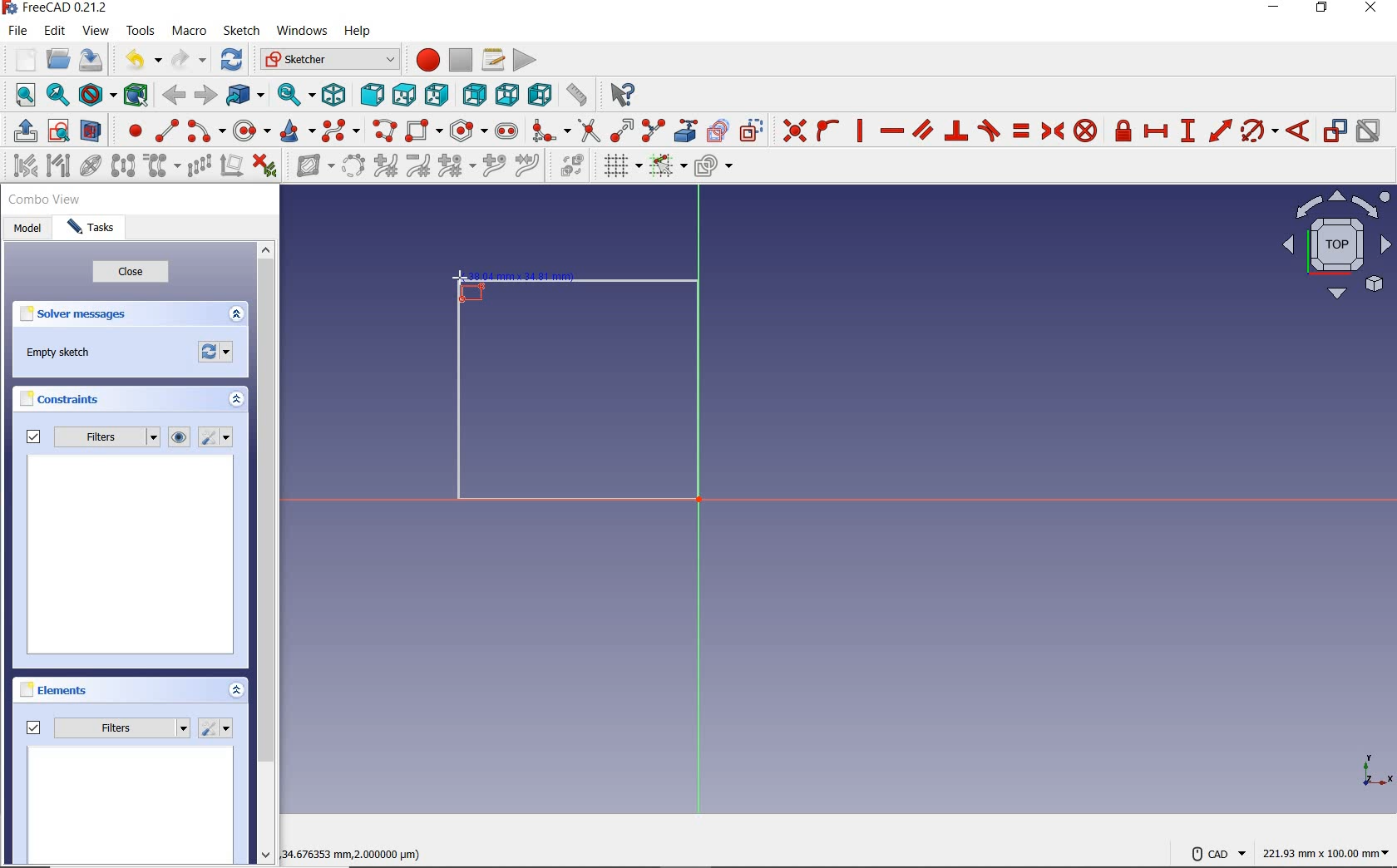 Image resolution: width=1397 pixels, height=868 pixels. What do you see at coordinates (216, 356) in the screenshot?
I see `forces recomputation of active document` at bounding box center [216, 356].